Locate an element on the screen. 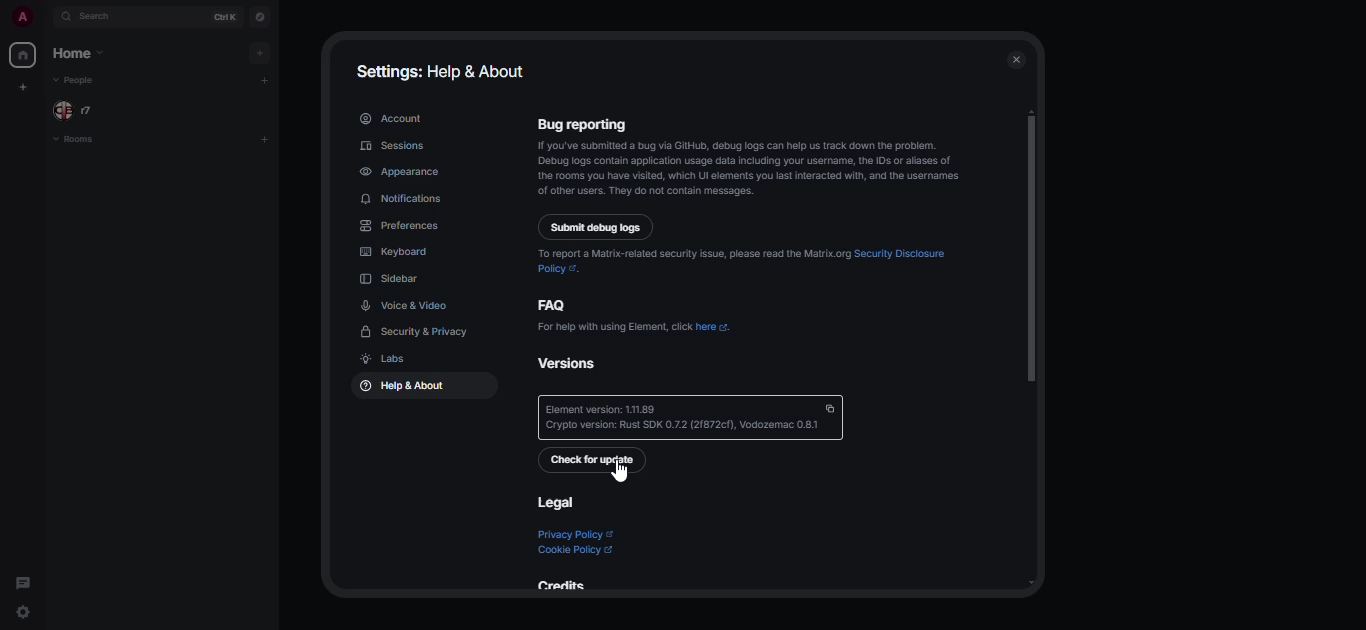 The image size is (1366, 630). privacy policy is located at coordinates (574, 535).